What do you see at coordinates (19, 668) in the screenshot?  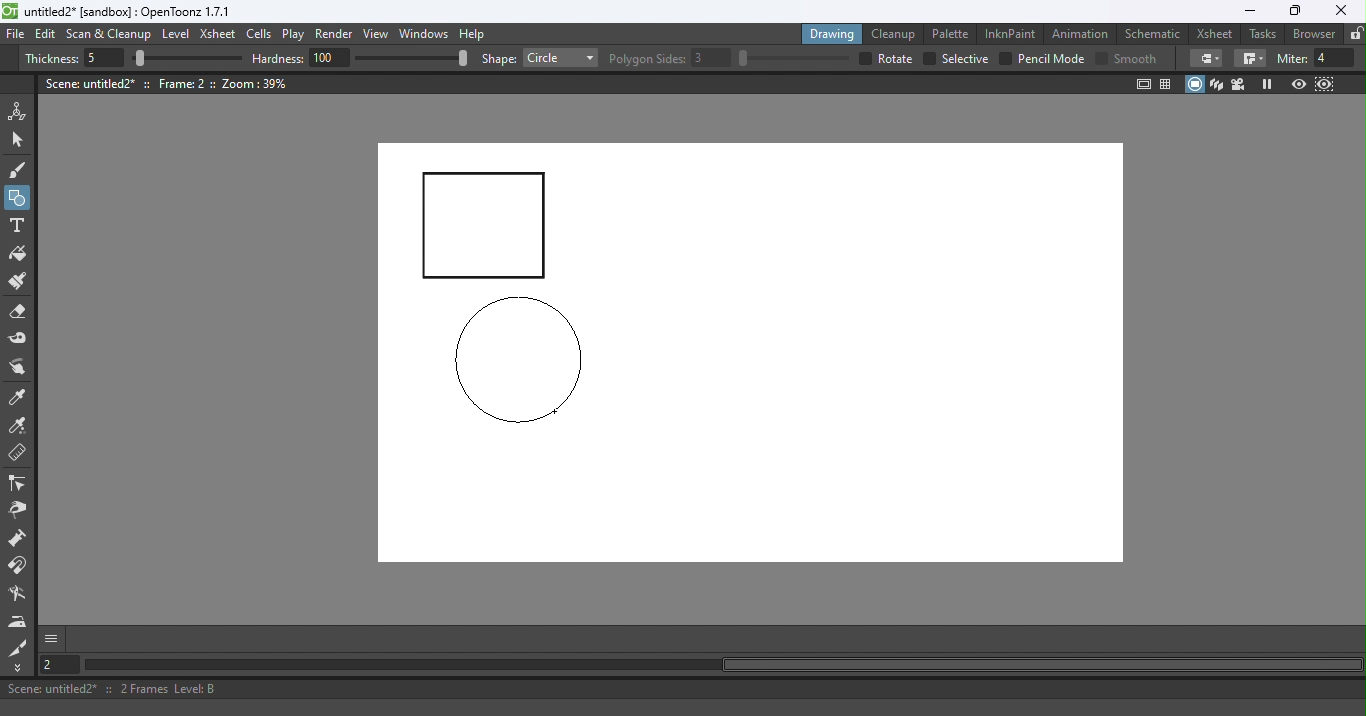 I see `More Tools` at bounding box center [19, 668].